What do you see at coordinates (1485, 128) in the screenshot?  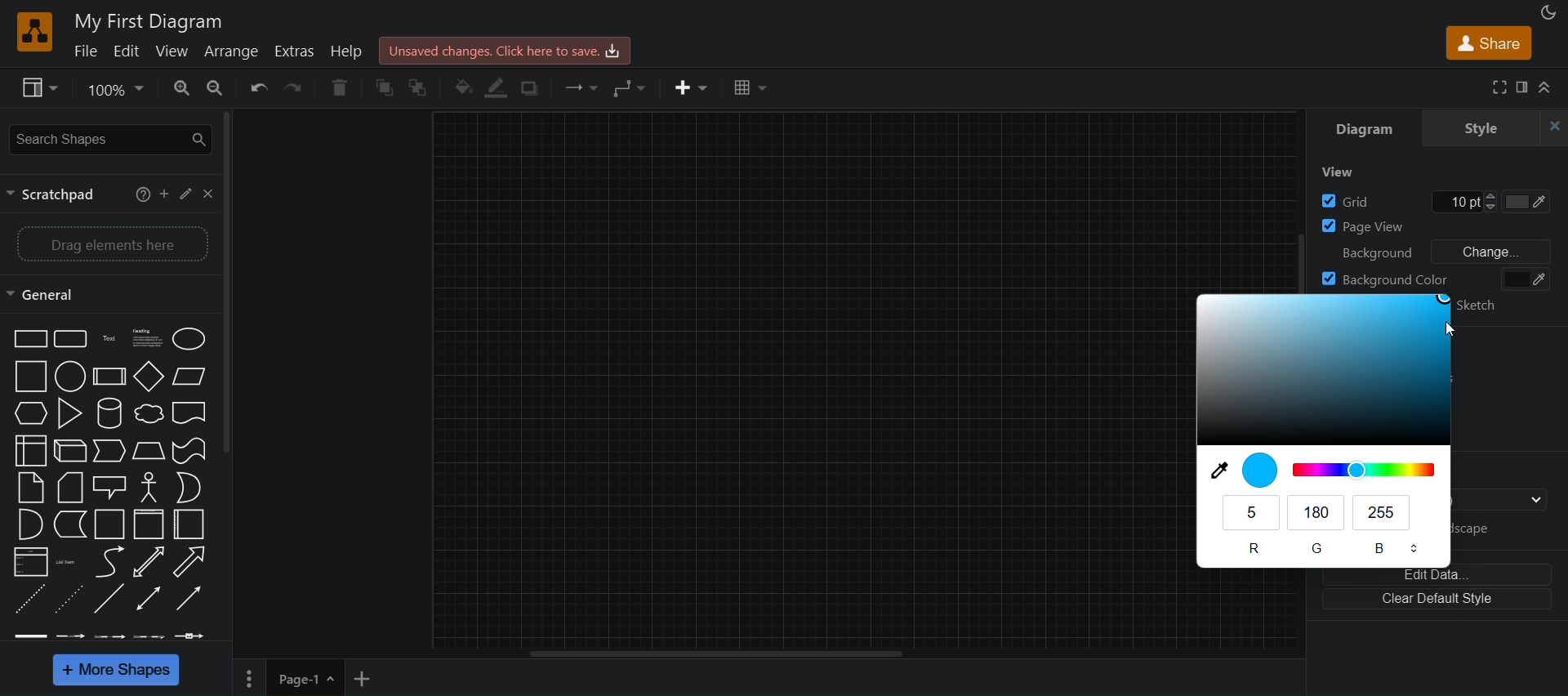 I see `style` at bounding box center [1485, 128].